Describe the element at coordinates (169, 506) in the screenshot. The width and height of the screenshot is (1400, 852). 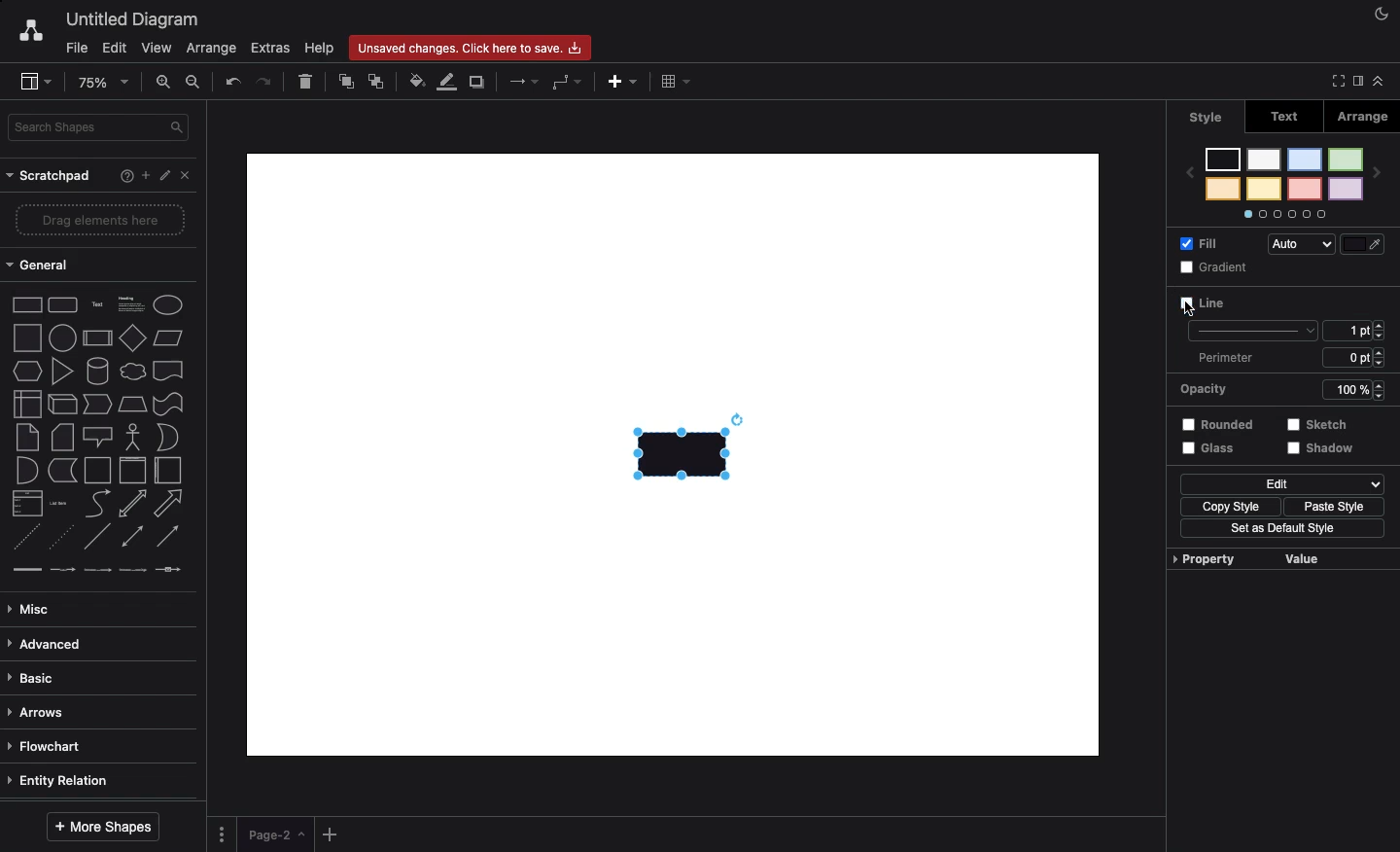
I see `arrow` at that location.